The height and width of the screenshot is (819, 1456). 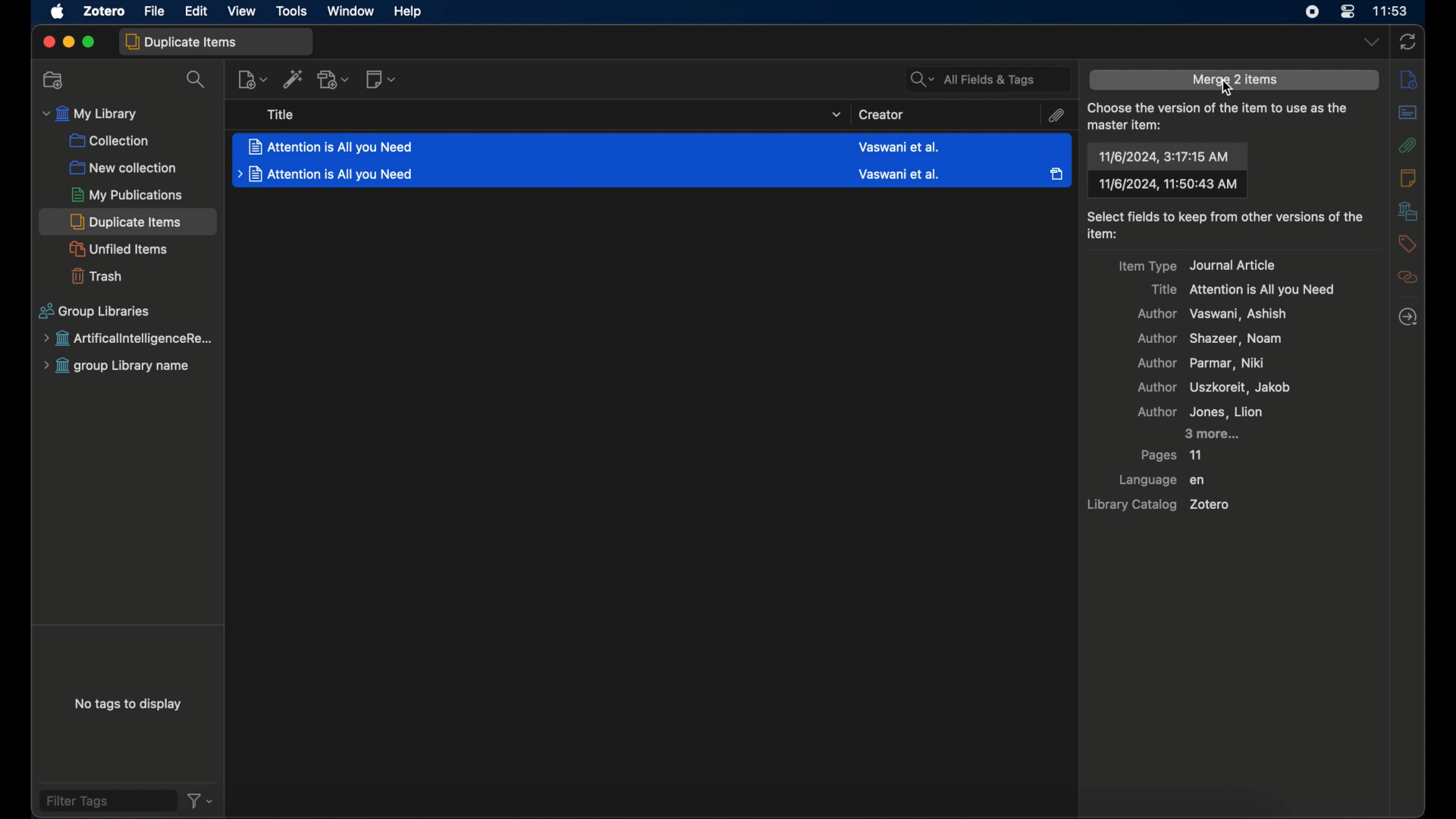 I want to click on my library menu, so click(x=91, y=115).